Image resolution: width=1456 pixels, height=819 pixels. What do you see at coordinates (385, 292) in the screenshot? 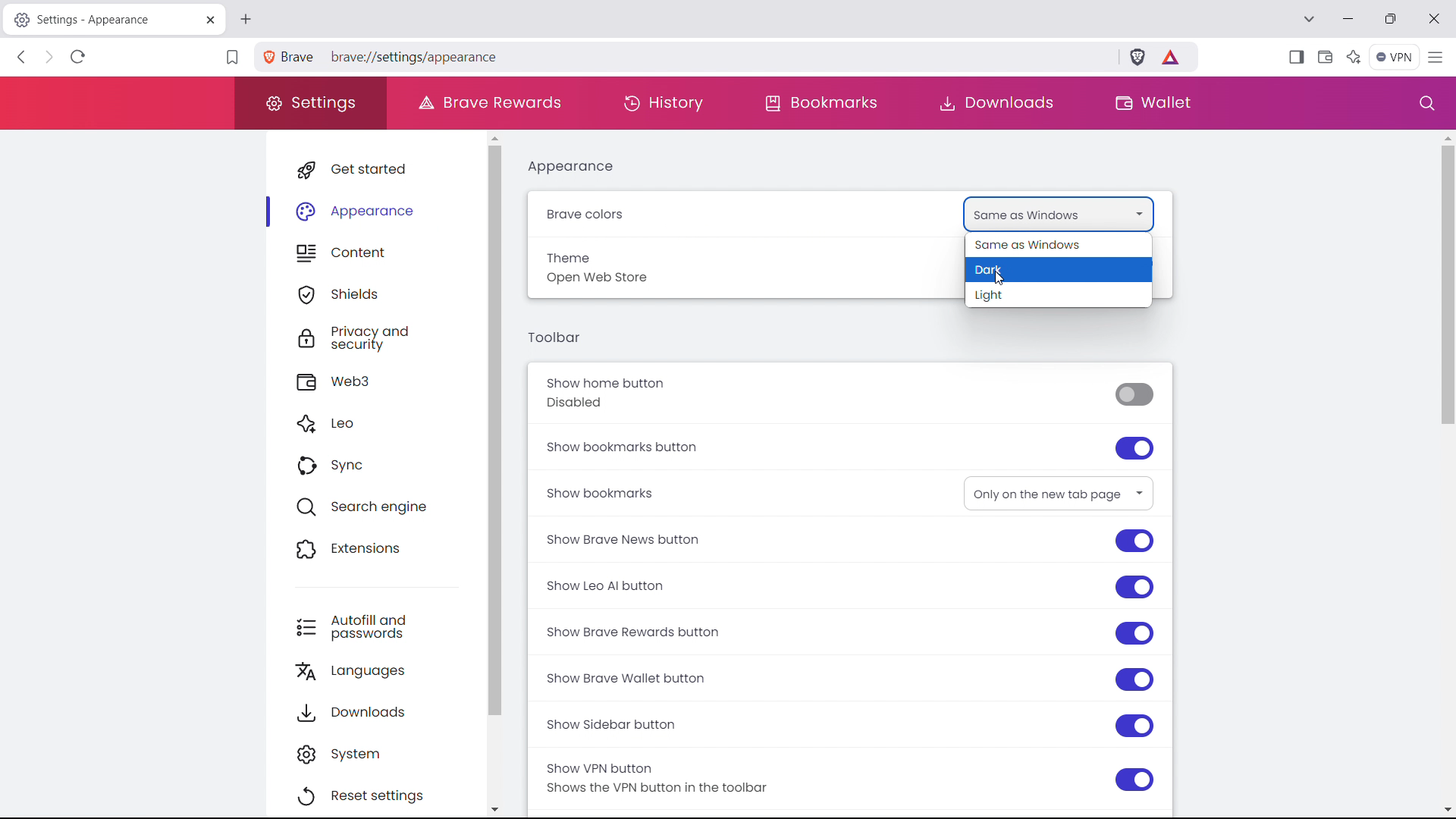
I see `shields` at bounding box center [385, 292].